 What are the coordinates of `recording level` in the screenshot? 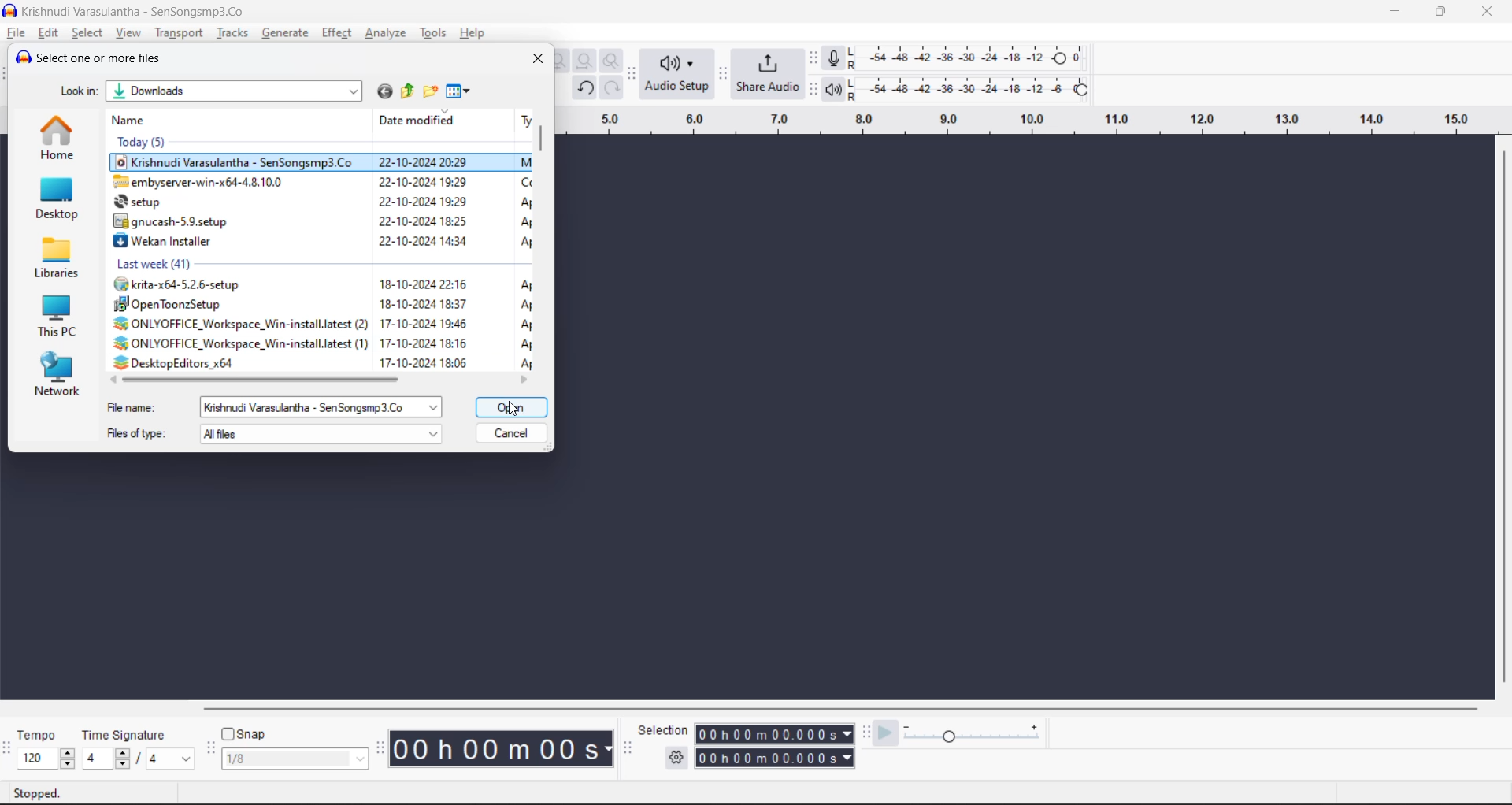 It's located at (977, 57).